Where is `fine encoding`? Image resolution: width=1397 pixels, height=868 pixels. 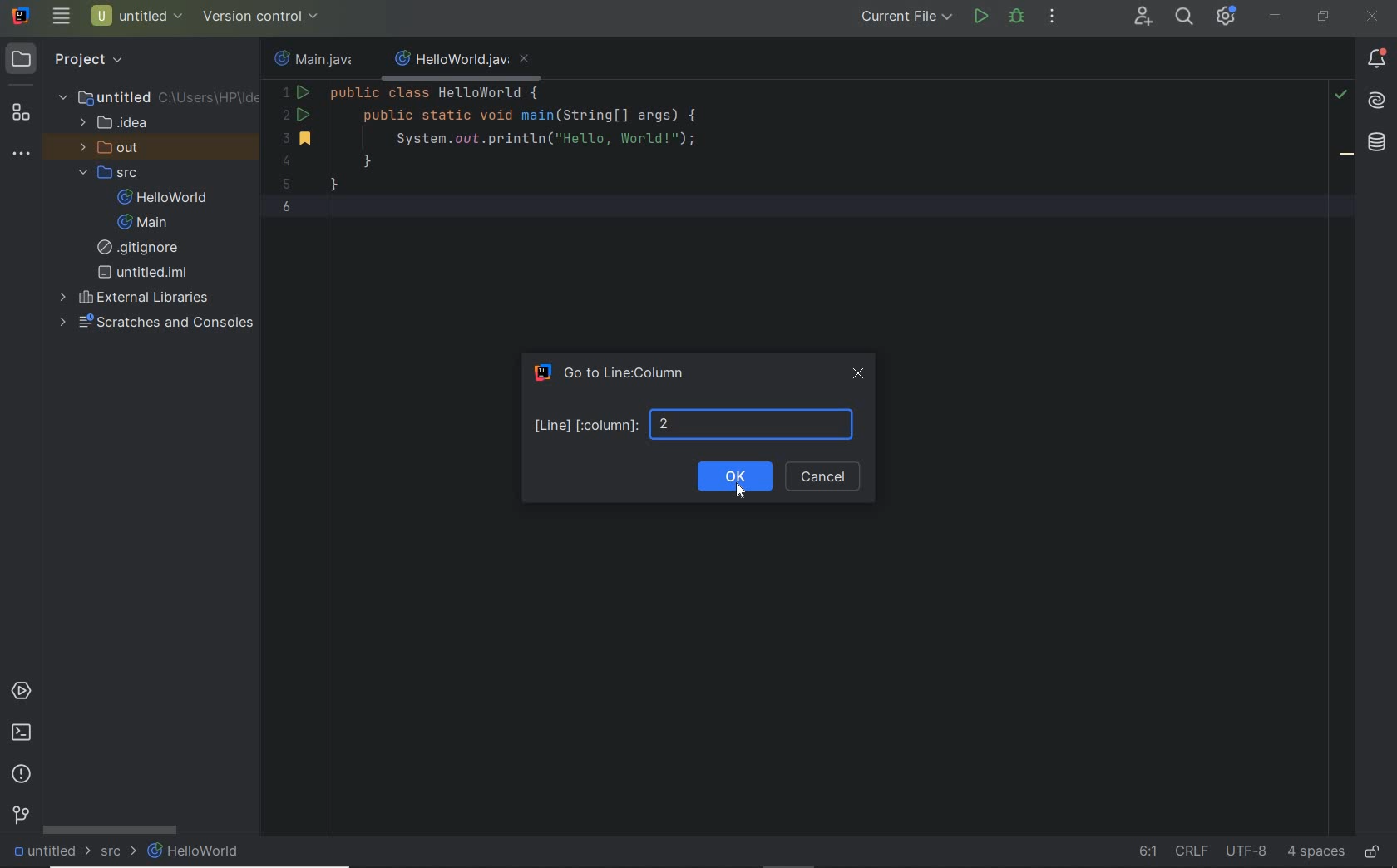
fine encoding is located at coordinates (1246, 853).